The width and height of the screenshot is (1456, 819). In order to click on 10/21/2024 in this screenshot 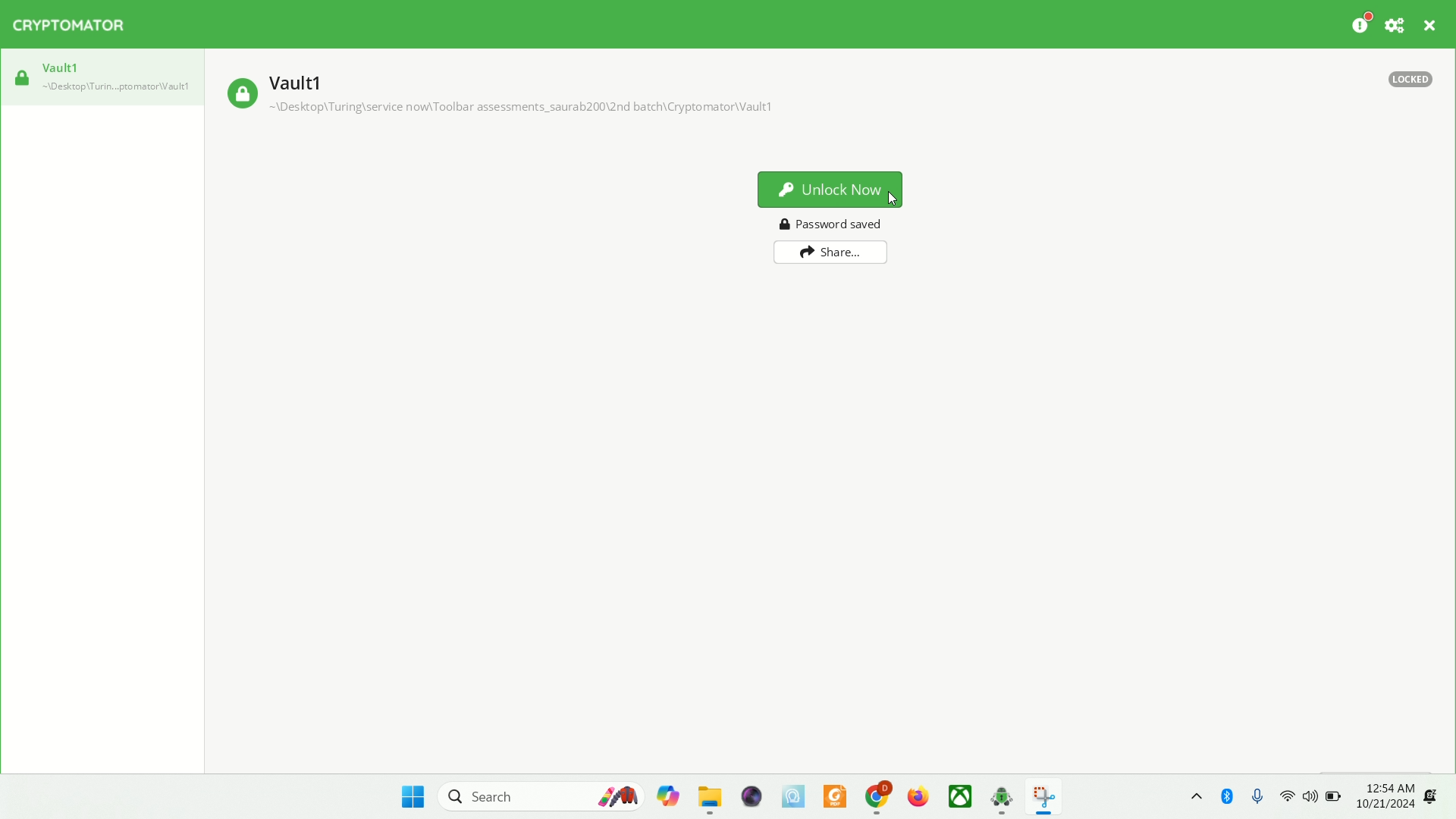, I will do `click(1387, 807)`.